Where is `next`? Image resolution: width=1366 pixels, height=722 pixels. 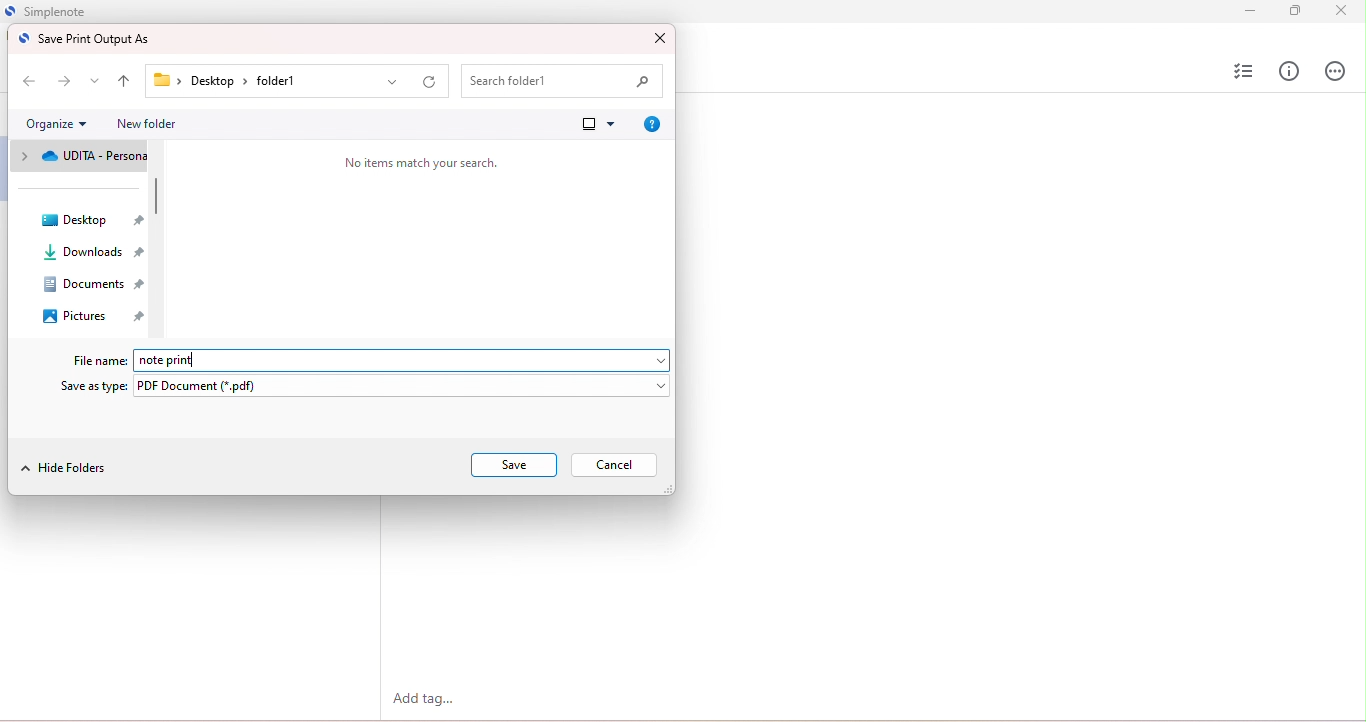
next is located at coordinates (66, 81).